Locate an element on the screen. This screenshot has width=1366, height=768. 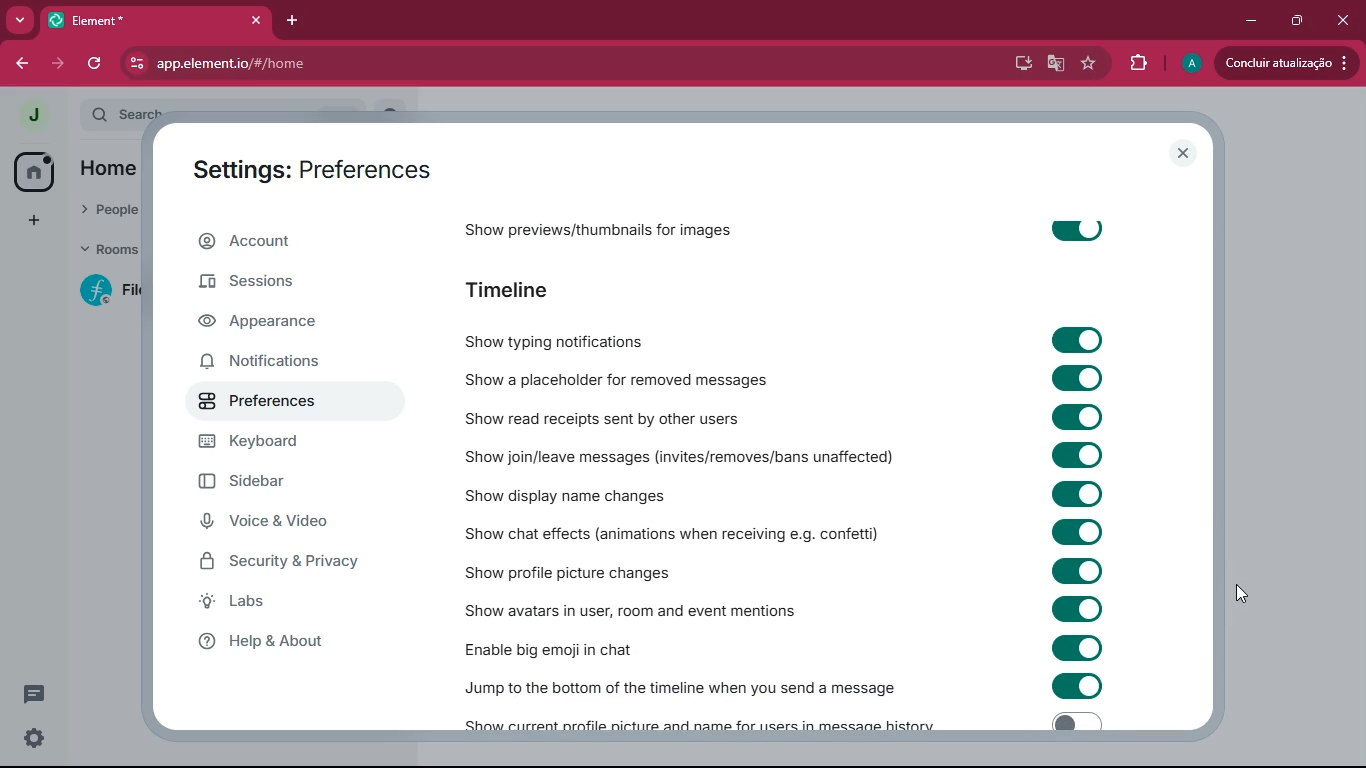
maximize is located at coordinates (1298, 21).